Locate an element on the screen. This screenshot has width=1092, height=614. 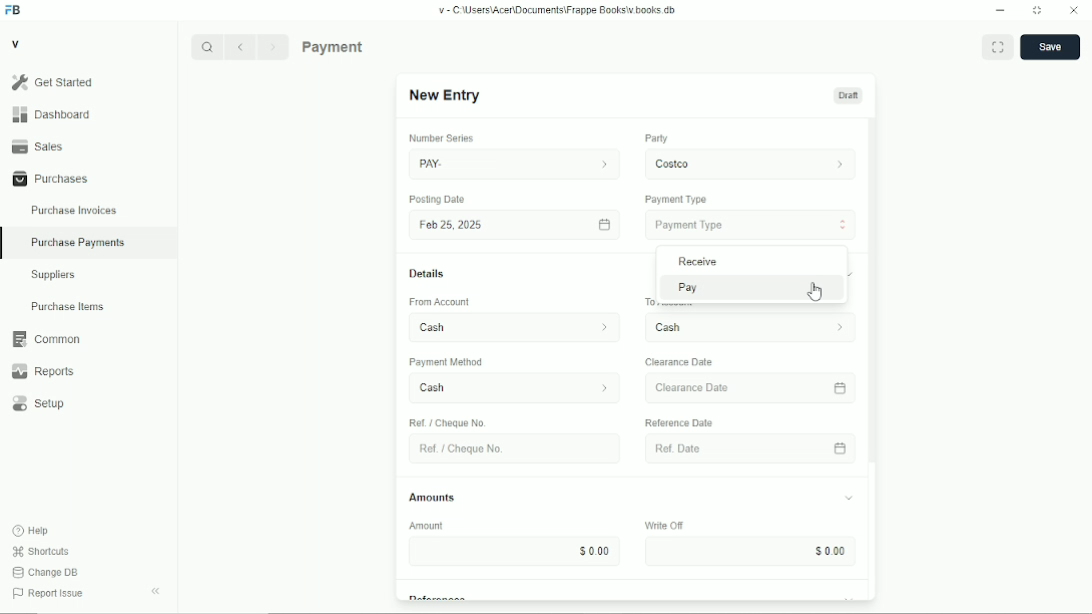
save is located at coordinates (1050, 47).